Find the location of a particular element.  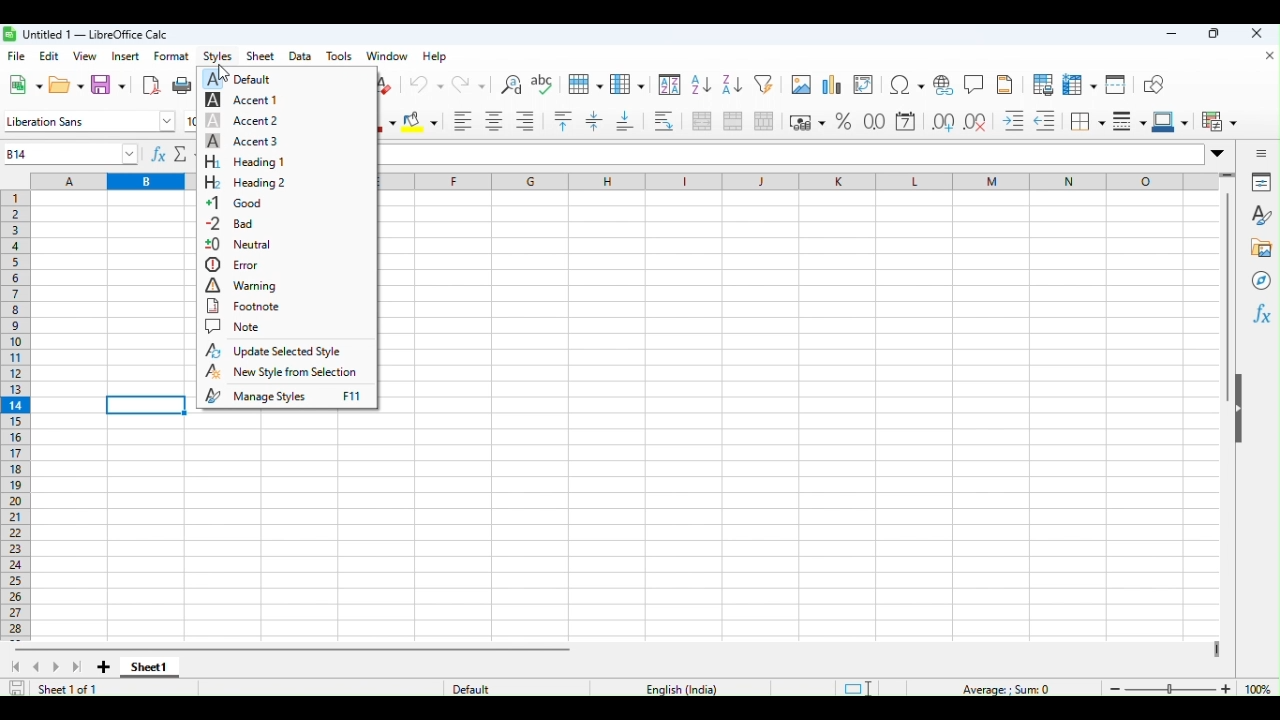

a is located at coordinates (62, 180).